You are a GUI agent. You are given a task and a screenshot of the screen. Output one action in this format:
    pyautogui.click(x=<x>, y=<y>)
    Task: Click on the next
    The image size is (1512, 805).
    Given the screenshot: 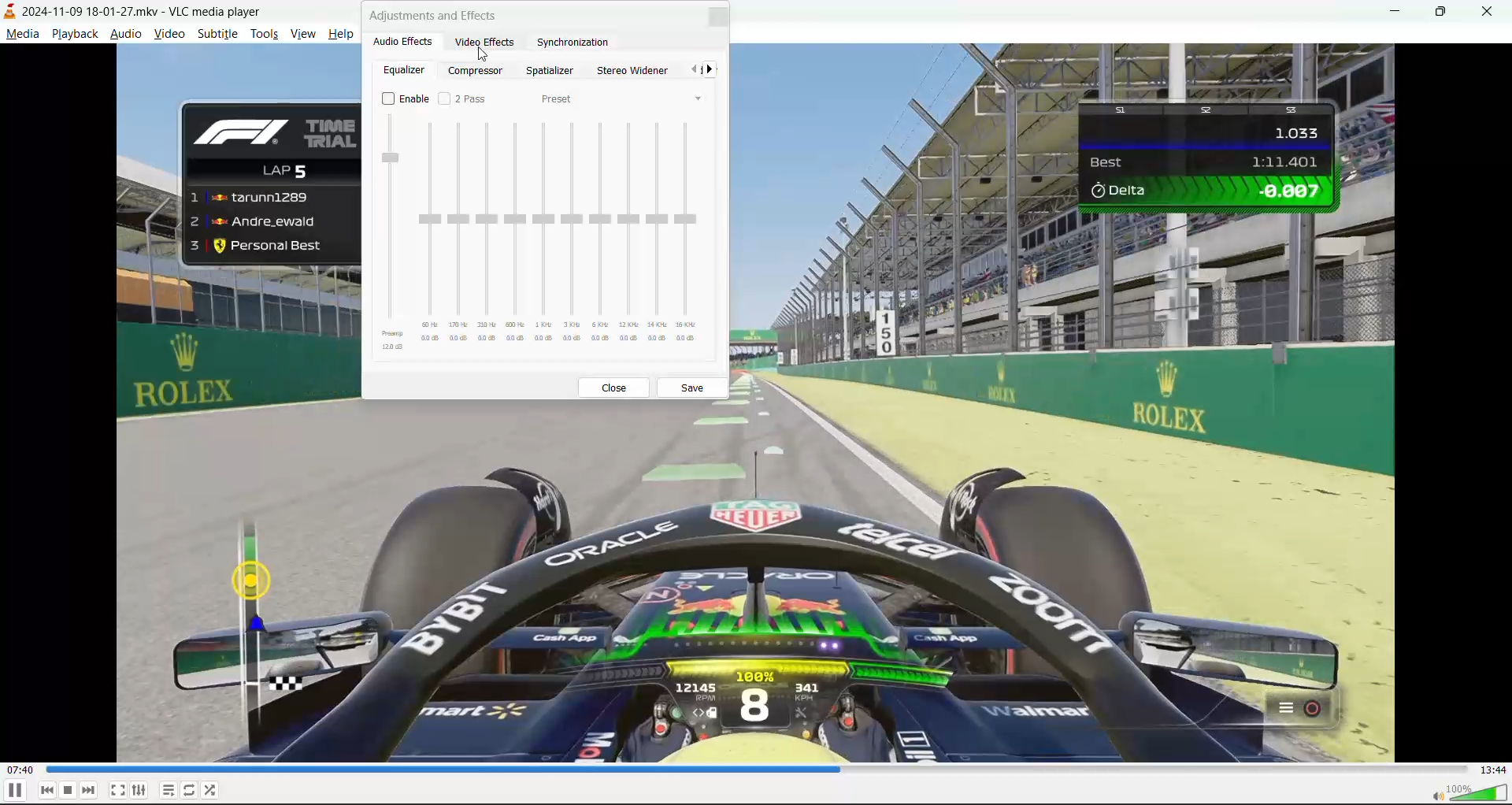 What is the action you would take?
    pyautogui.click(x=713, y=71)
    